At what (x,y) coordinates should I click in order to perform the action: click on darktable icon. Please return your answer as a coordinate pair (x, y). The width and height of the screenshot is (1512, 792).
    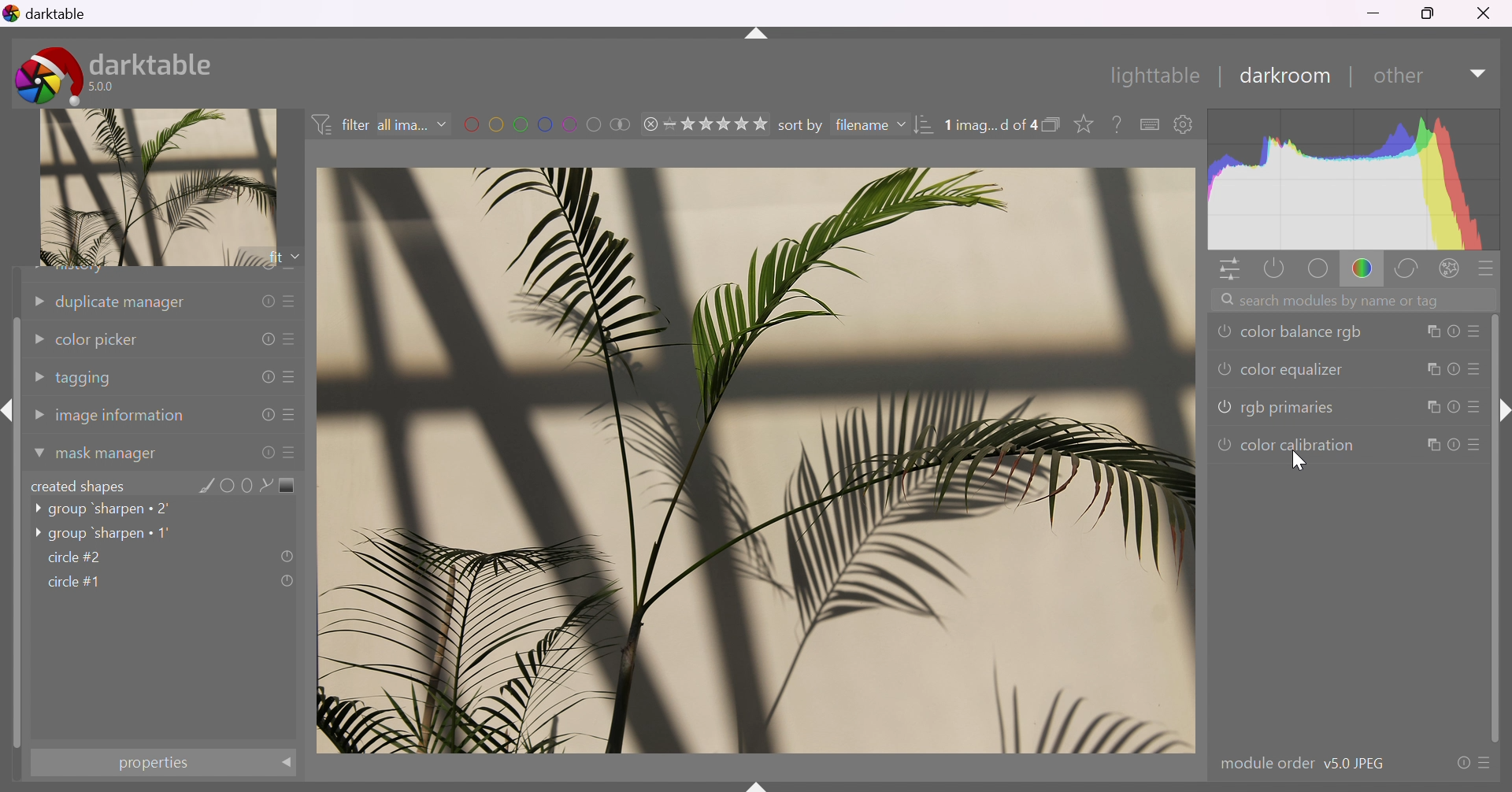
    Looking at the image, I should click on (44, 77).